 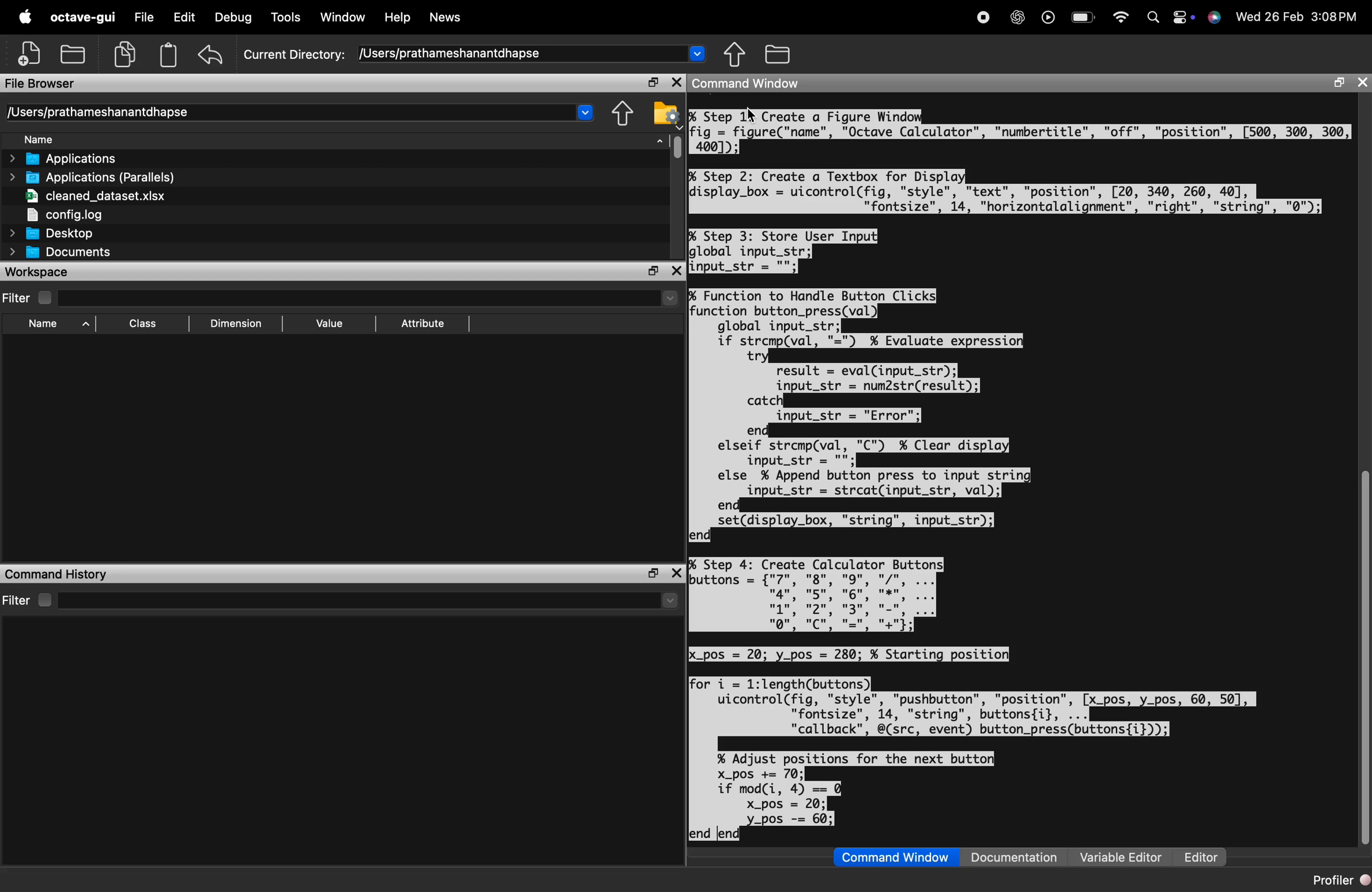 I want to click on chat gpt, so click(x=1018, y=18).